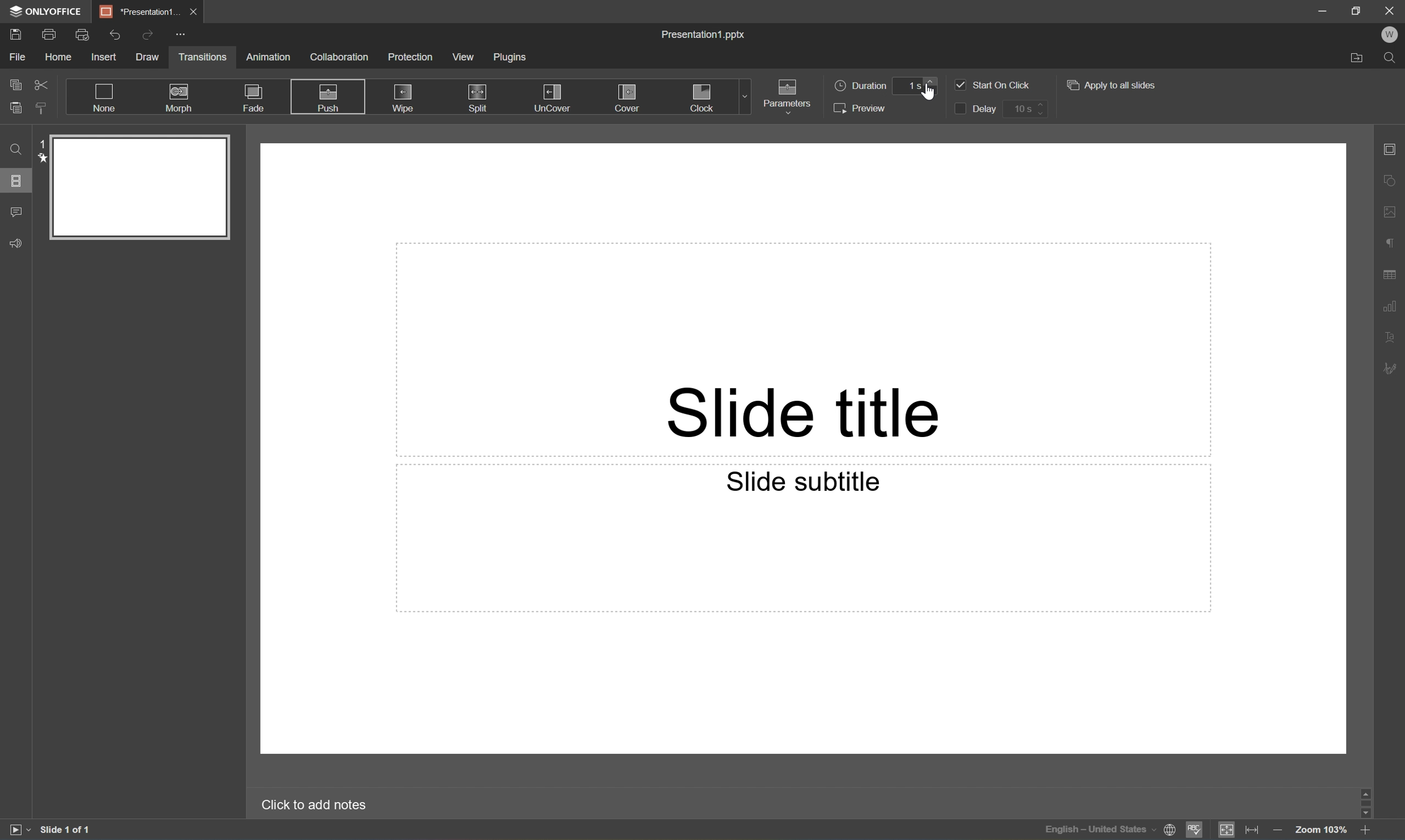 The height and width of the screenshot is (840, 1405). I want to click on ONLYOFFICE, so click(50, 11).